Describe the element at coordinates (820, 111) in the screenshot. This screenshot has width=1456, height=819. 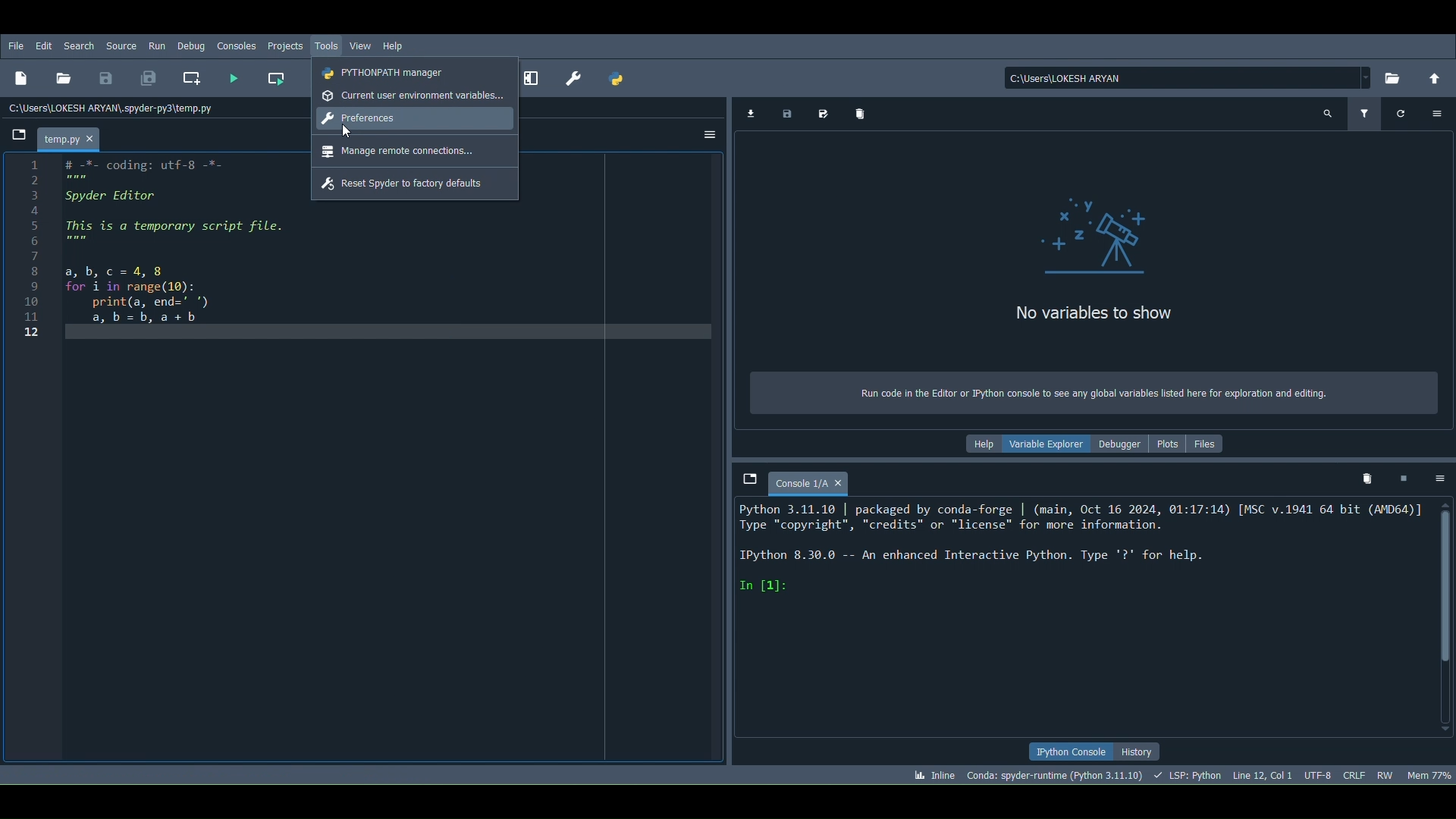
I see `Save data as` at that location.